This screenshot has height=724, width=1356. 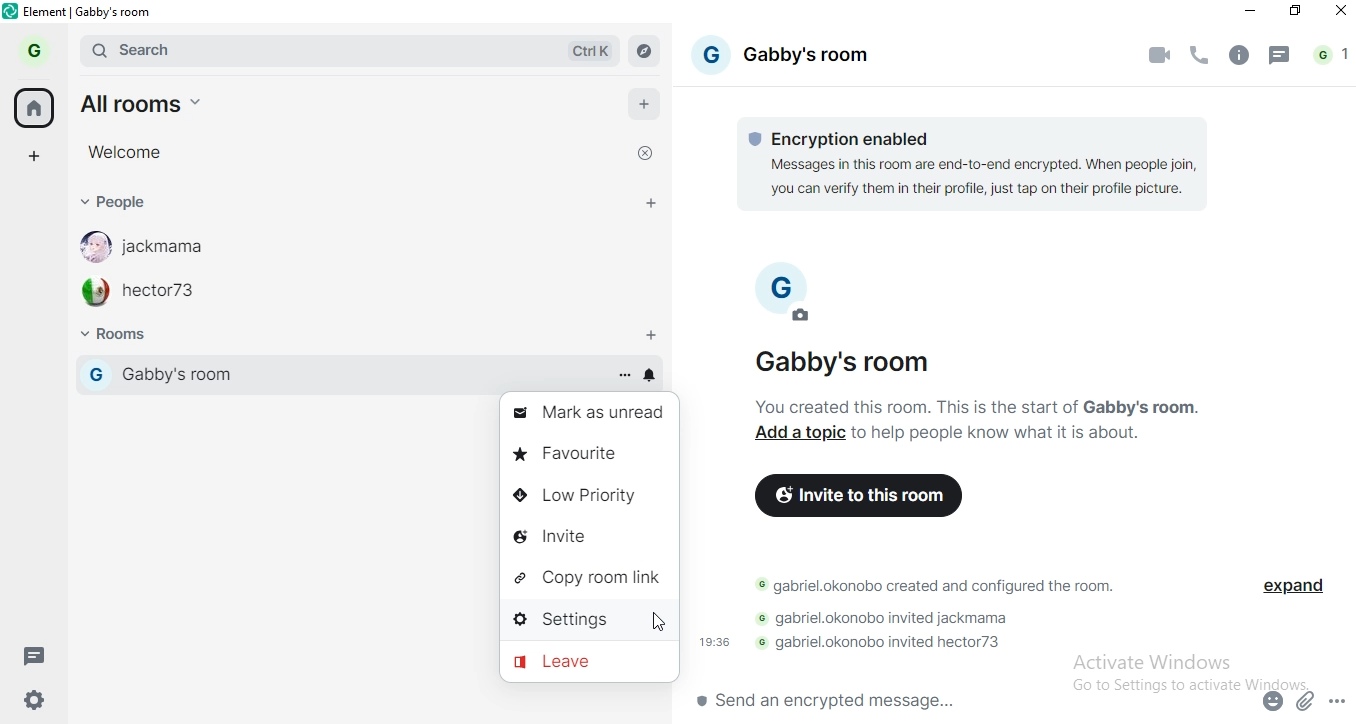 I want to click on navigate, so click(x=648, y=53).